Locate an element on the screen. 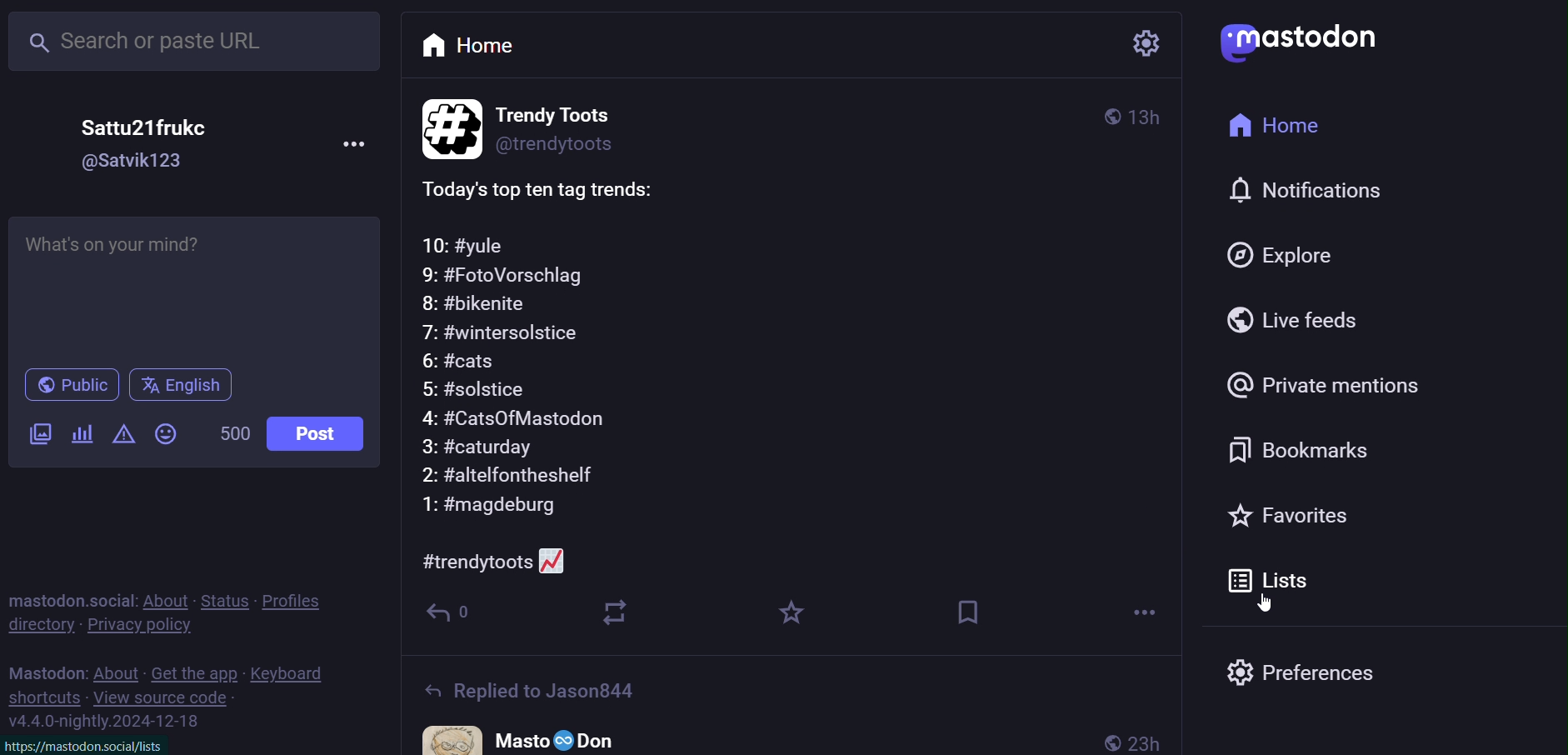 Image resolution: width=1568 pixels, height=755 pixels. get the app is located at coordinates (196, 672).